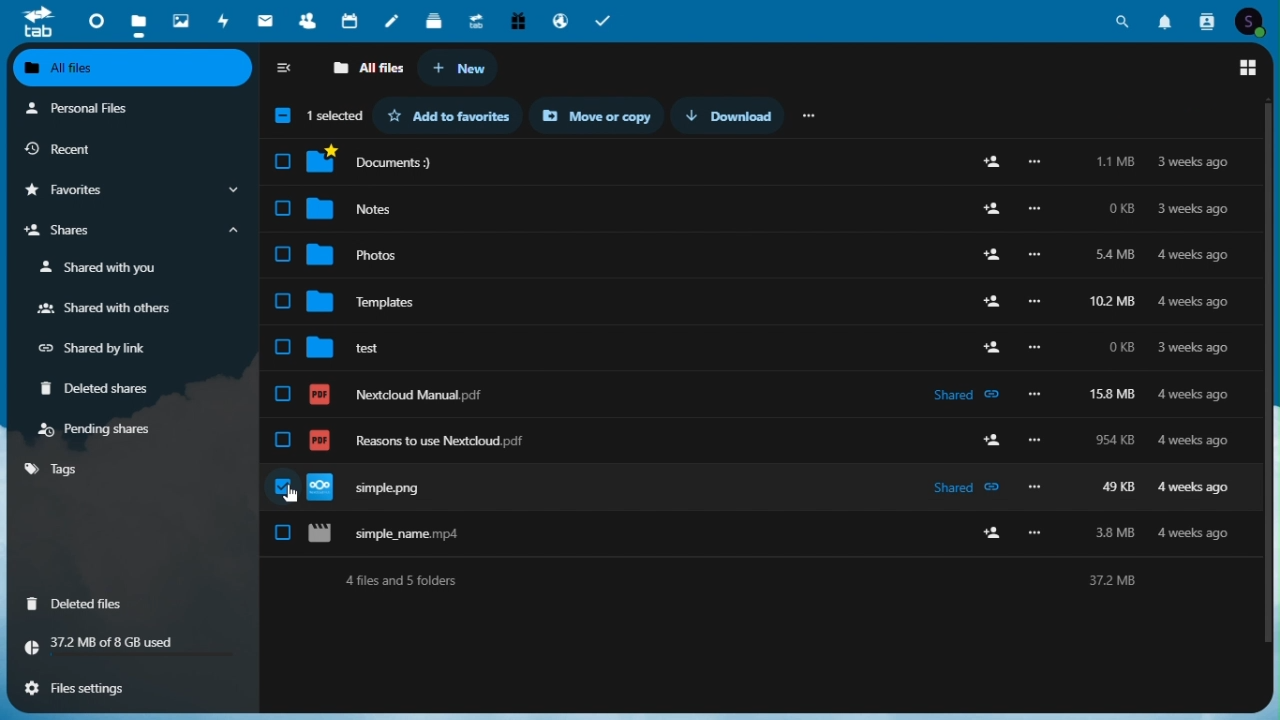 The width and height of the screenshot is (1280, 720). Describe the element at coordinates (395, 17) in the screenshot. I see `notes` at that location.